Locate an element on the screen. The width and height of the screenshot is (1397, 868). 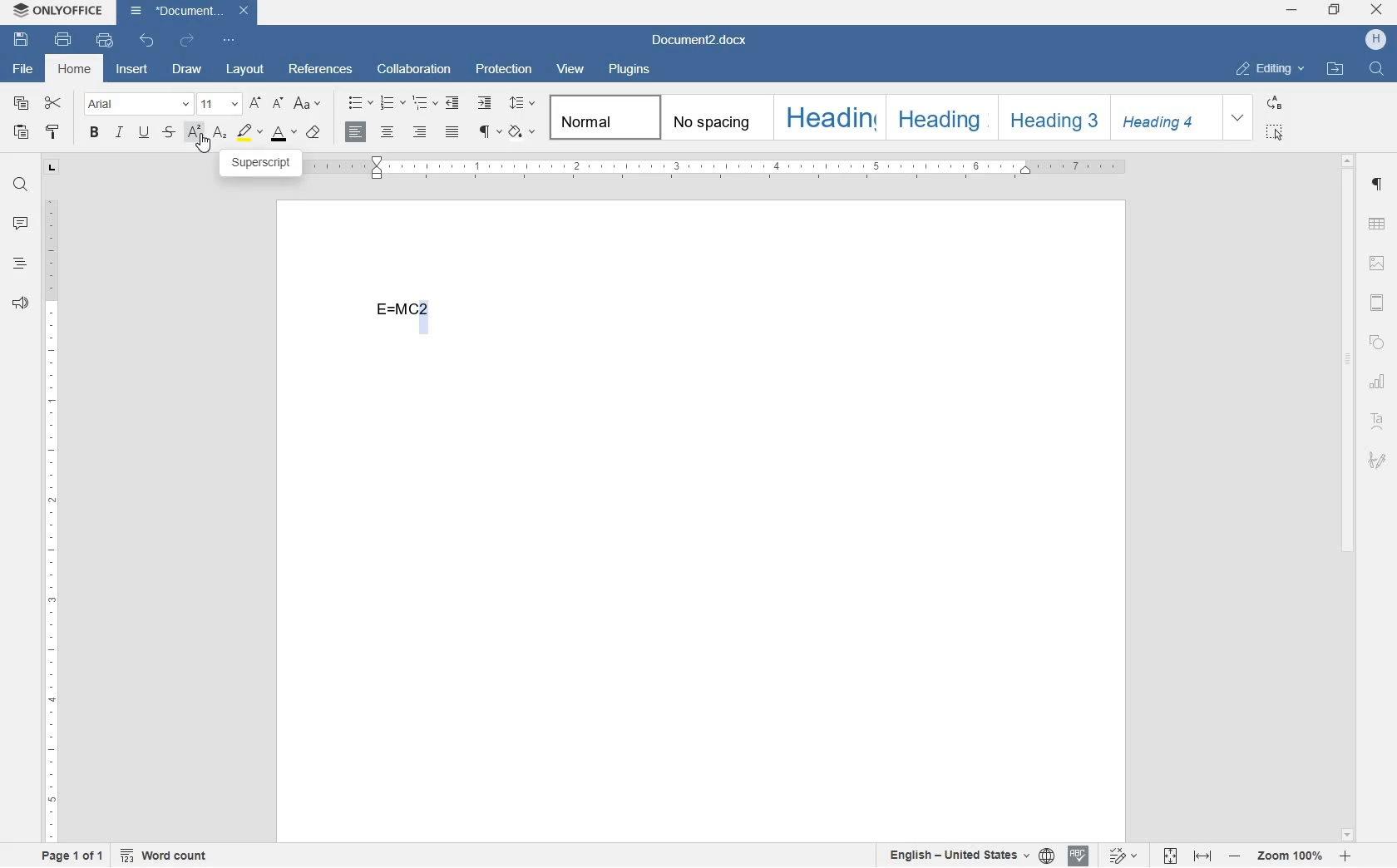
highlight color is located at coordinates (249, 133).